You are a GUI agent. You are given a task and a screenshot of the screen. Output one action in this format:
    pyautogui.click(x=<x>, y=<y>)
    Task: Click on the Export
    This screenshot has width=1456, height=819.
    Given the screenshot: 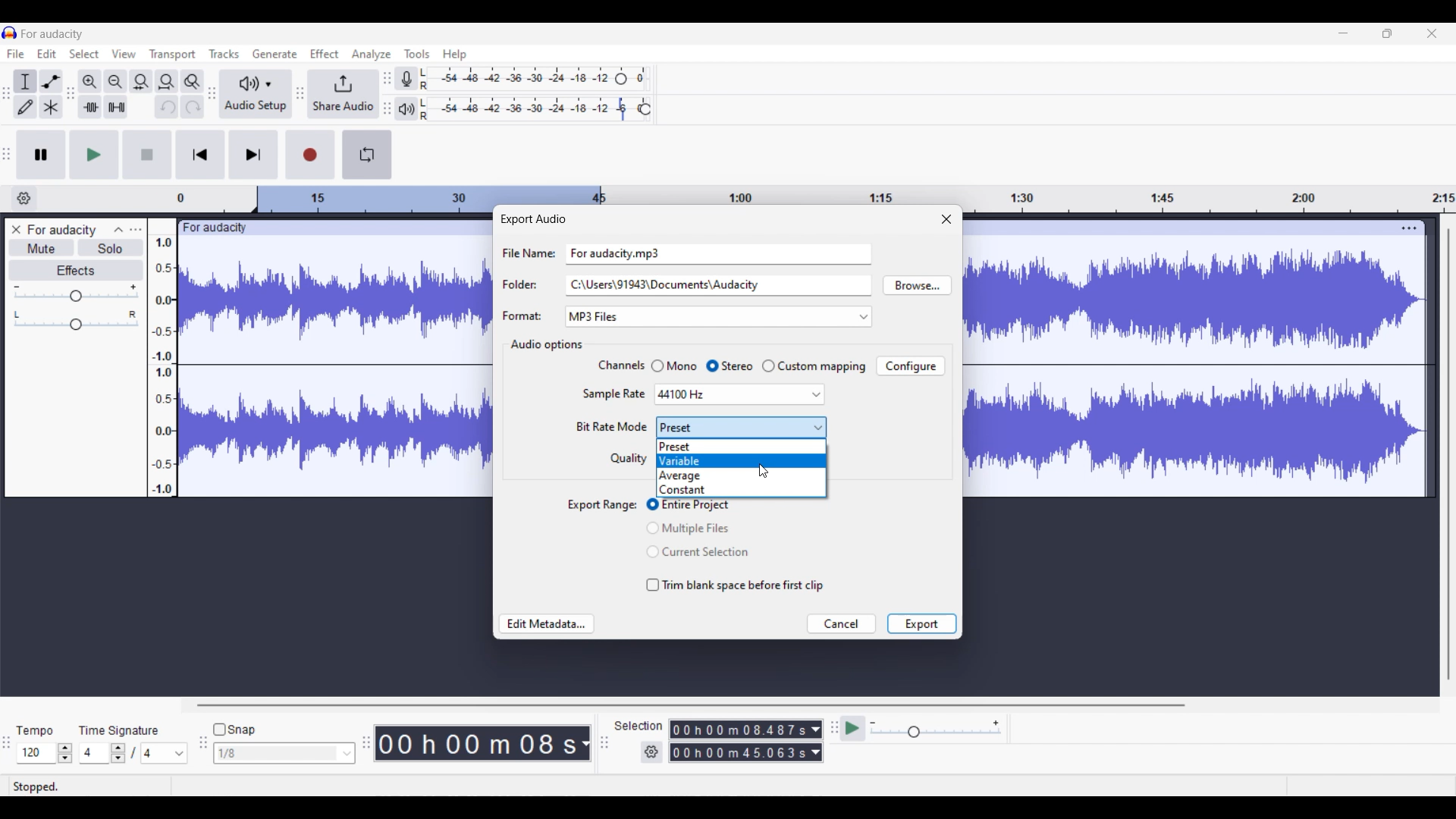 What is the action you would take?
    pyautogui.click(x=921, y=623)
    